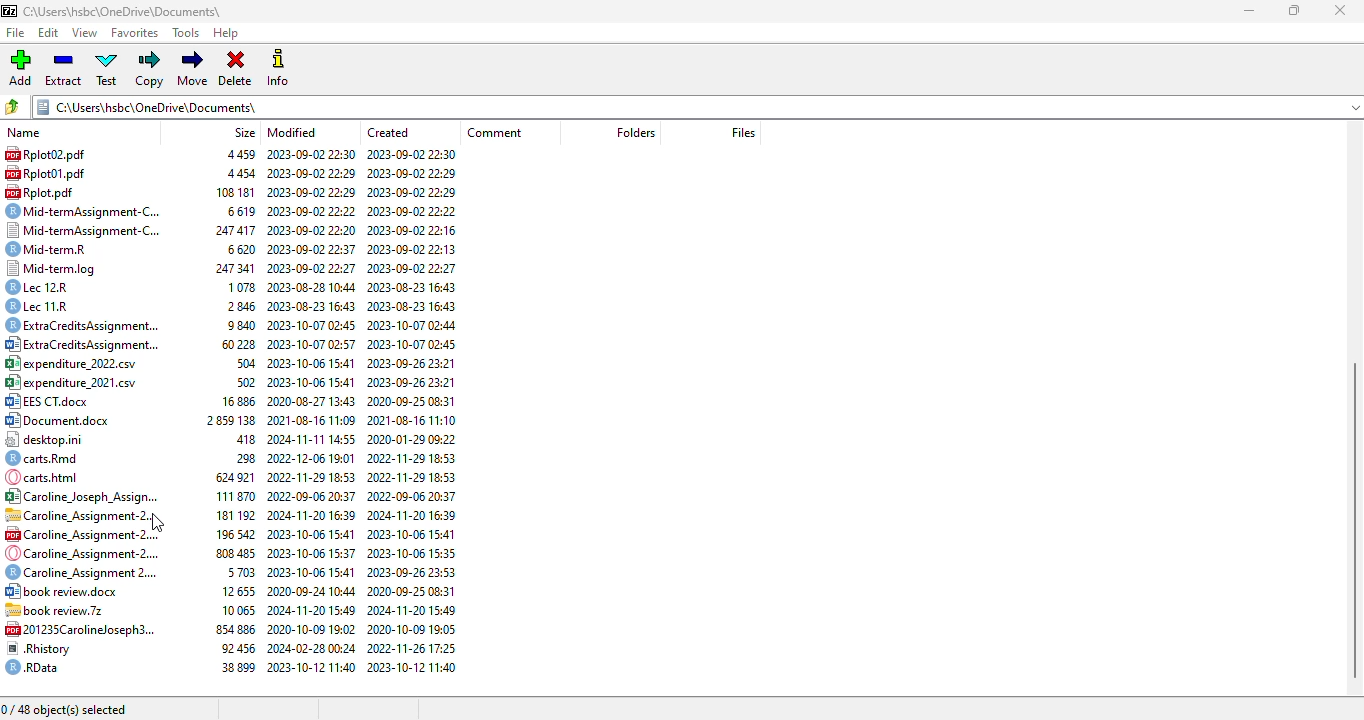 The image size is (1364, 720). I want to click on  2022-11-2617:25, so click(414, 648).